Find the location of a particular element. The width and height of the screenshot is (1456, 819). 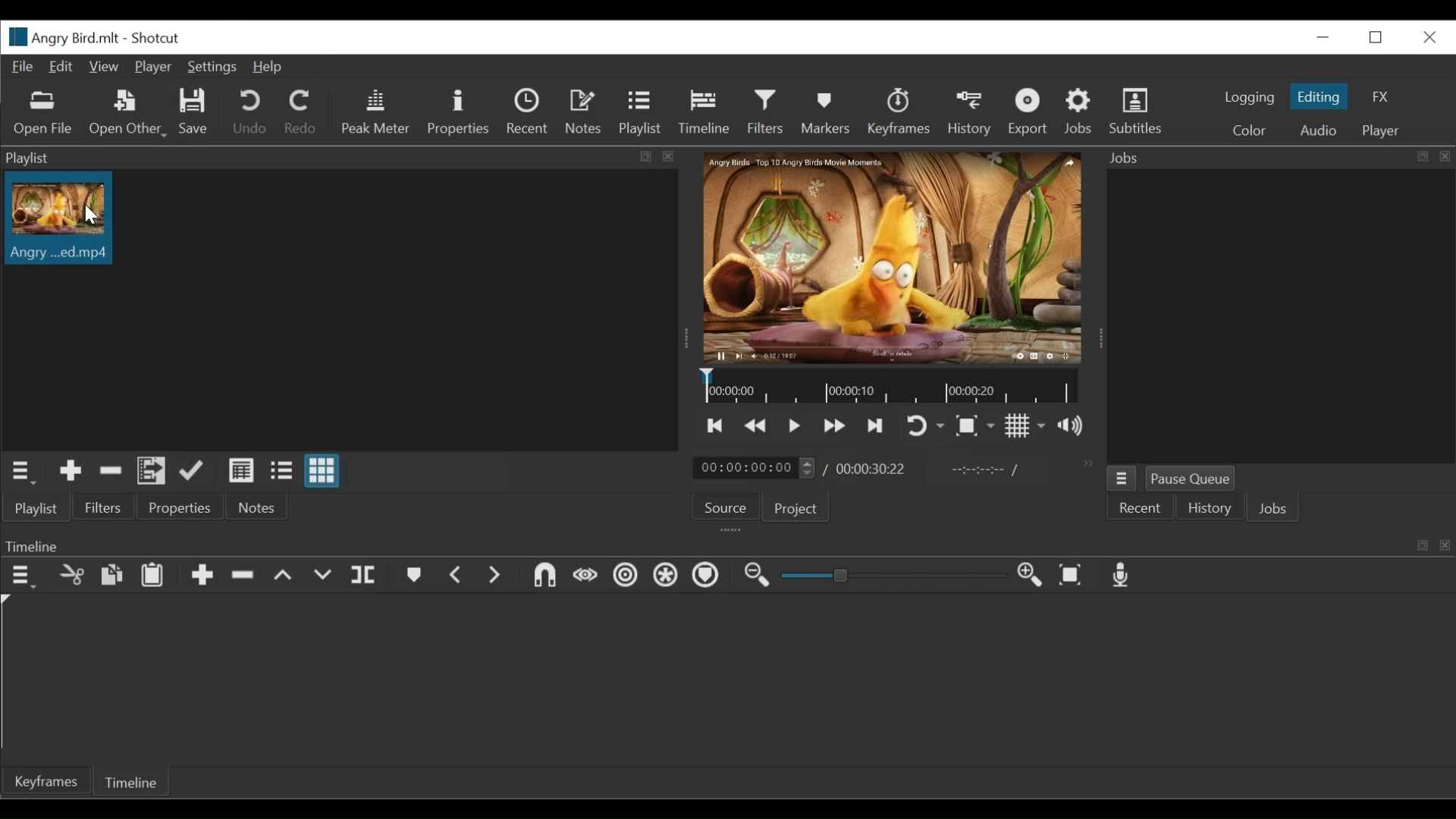

Player is located at coordinates (153, 65).